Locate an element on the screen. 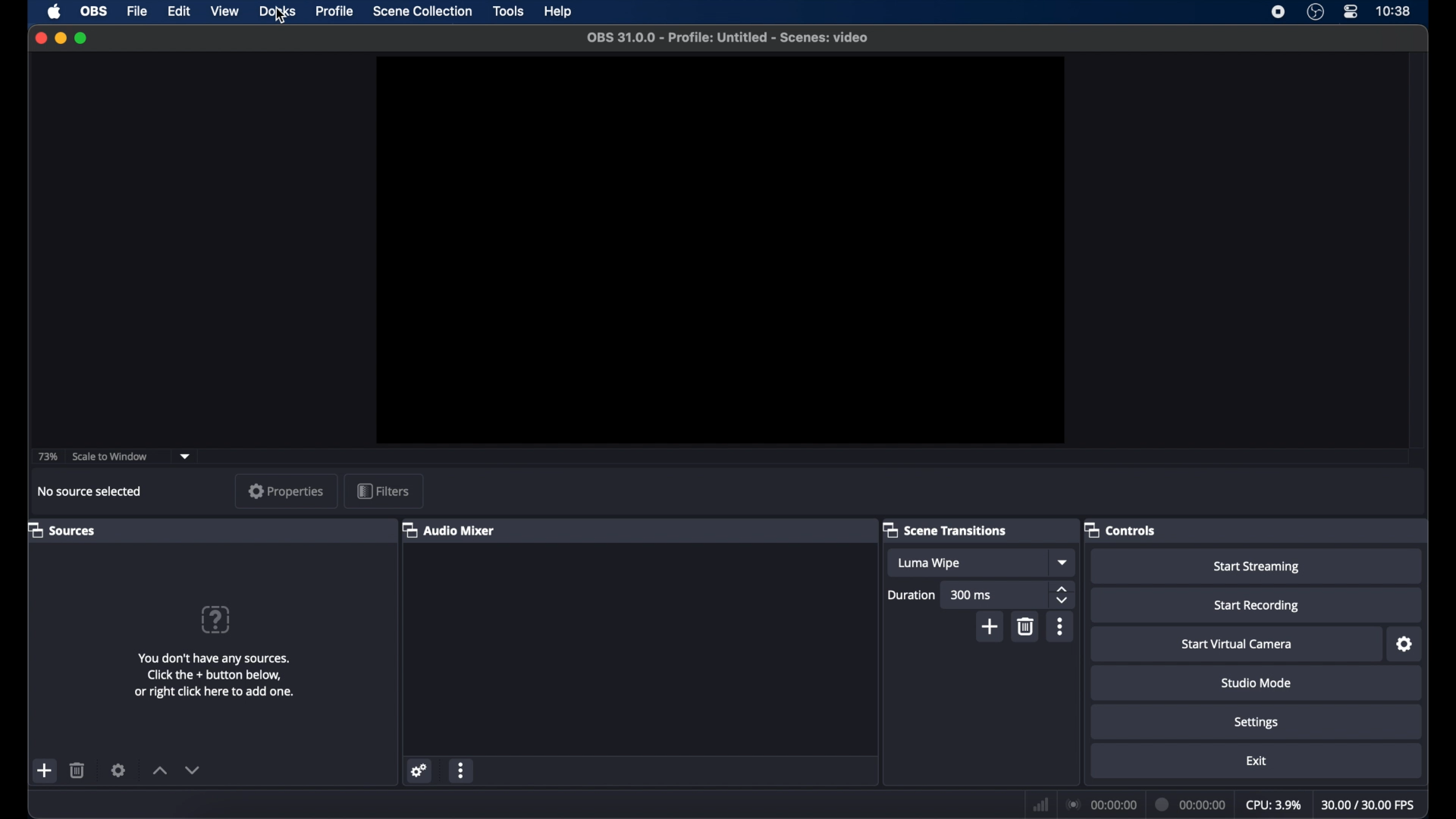  docks is located at coordinates (278, 12).